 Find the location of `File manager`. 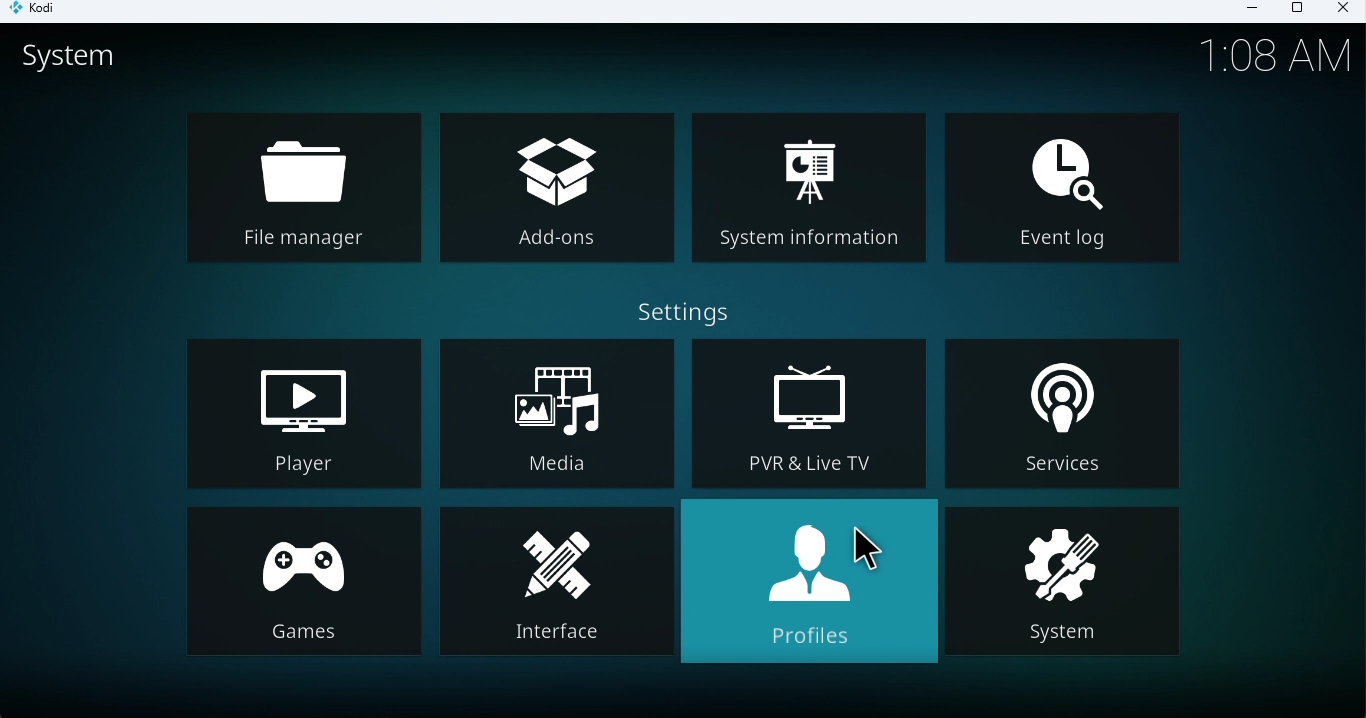

File manager is located at coordinates (311, 185).